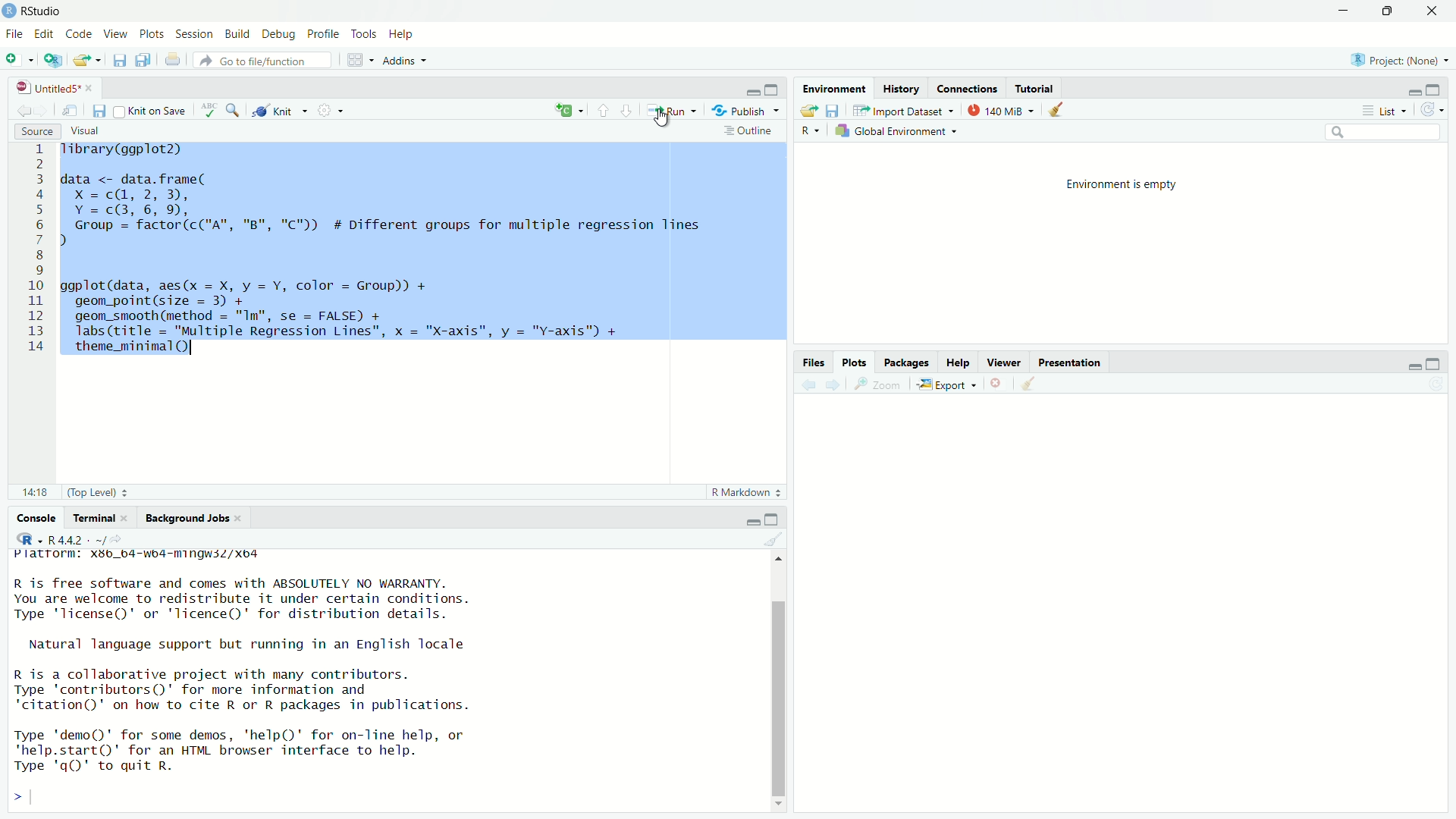 This screenshot has height=819, width=1456. What do you see at coordinates (21, 59) in the screenshot?
I see `add file` at bounding box center [21, 59].